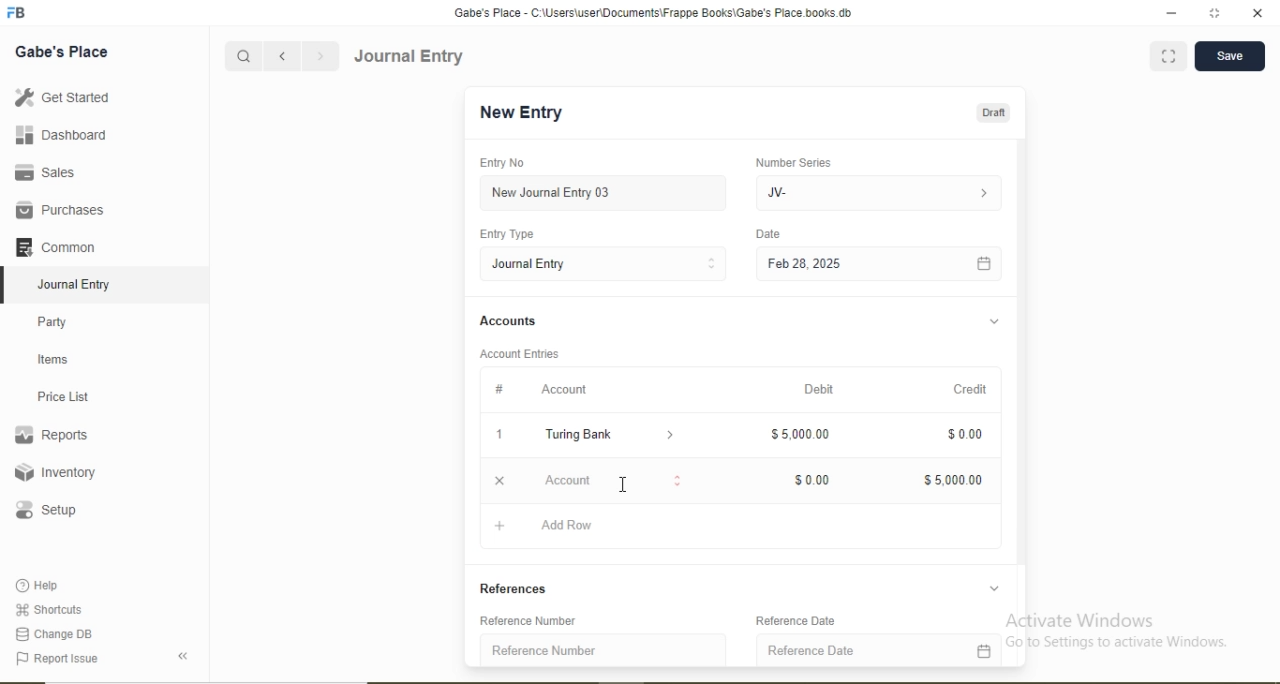 This screenshot has width=1280, height=684. Describe the element at coordinates (520, 113) in the screenshot. I see `New Entry` at that location.